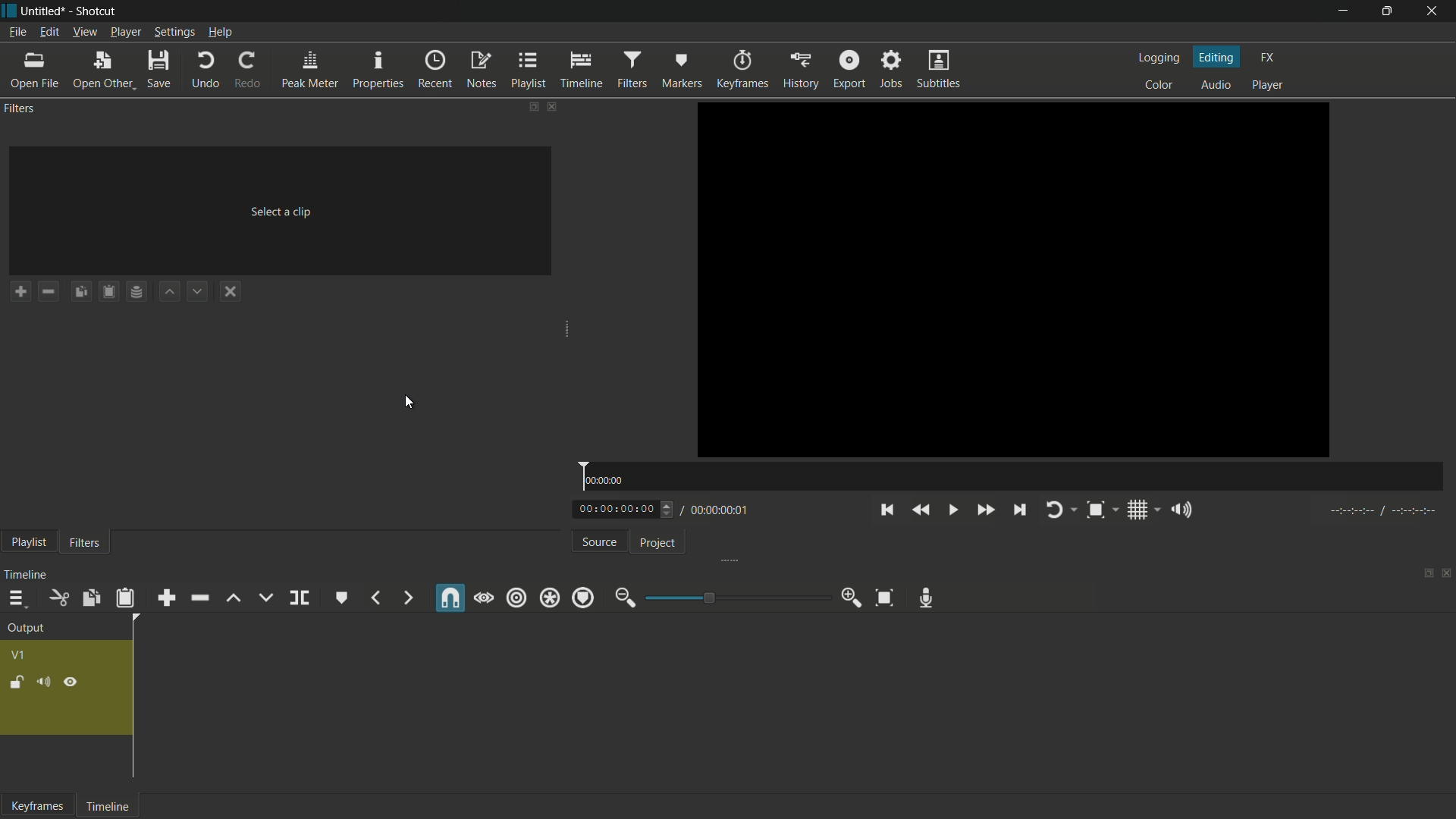 This screenshot has height=819, width=1456. What do you see at coordinates (102, 69) in the screenshot?
I see `open other` at bounding box center [102, 69].